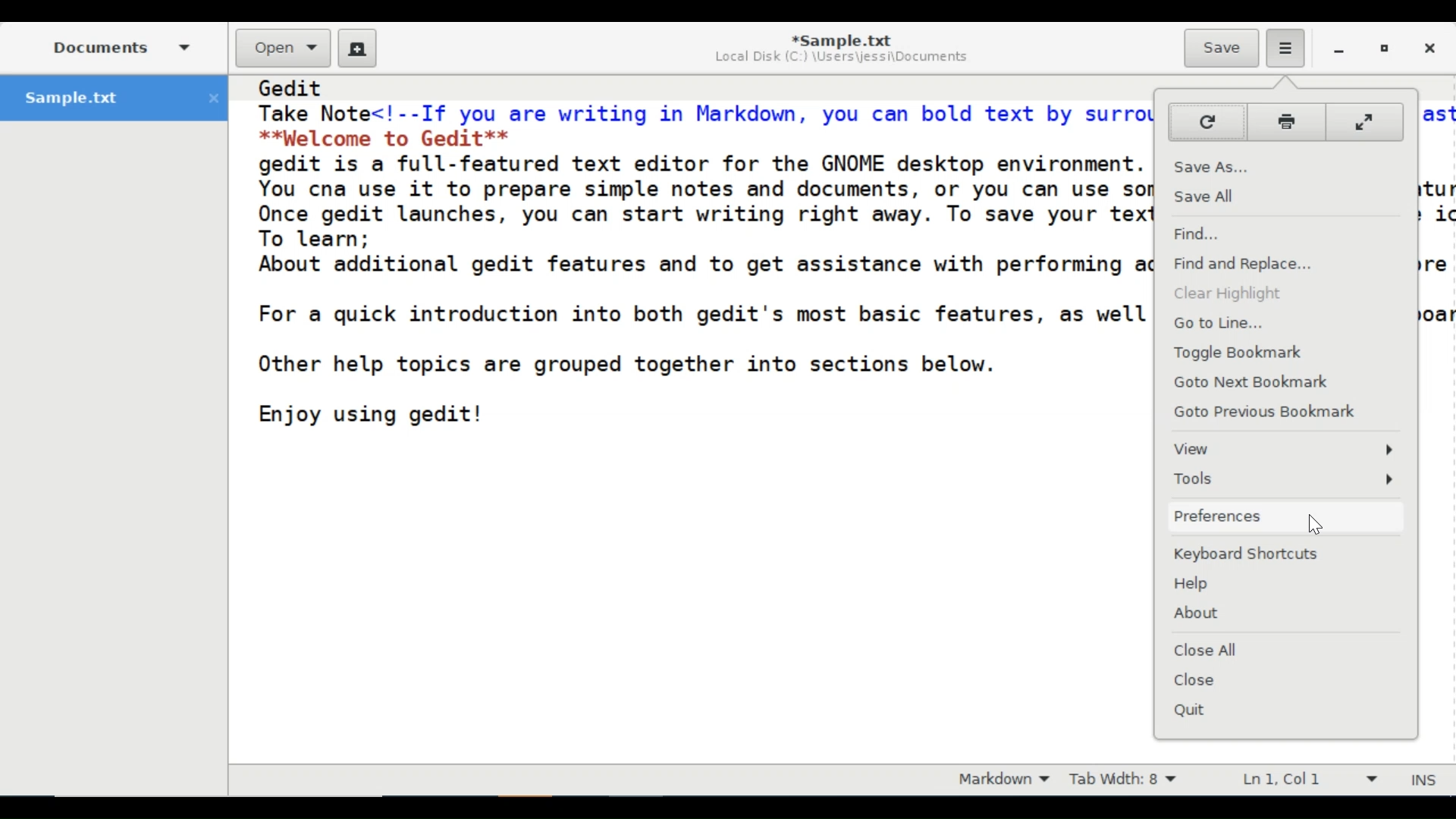  Describe the element at coordinates (1384, 45) in the screenshot. I see `Restore` at that location.